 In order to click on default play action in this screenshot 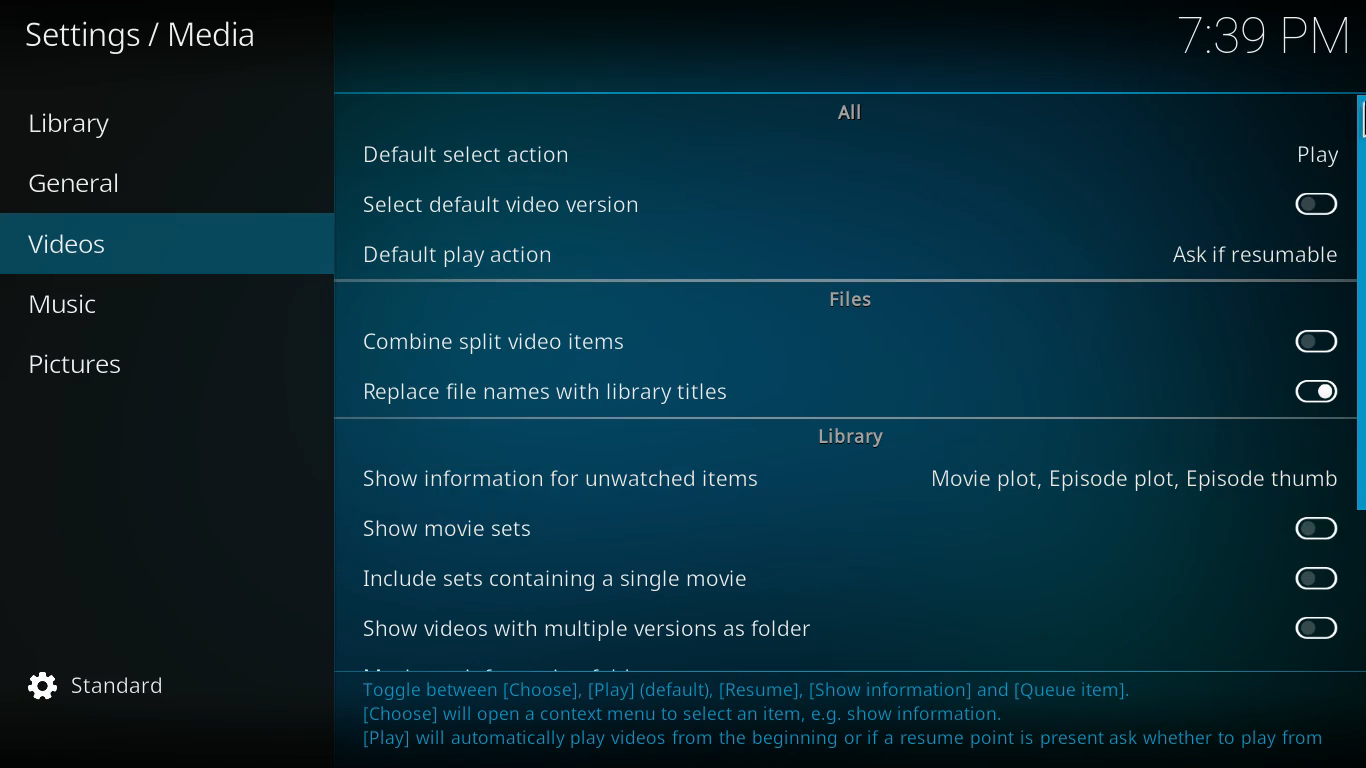, I will do `click(466, 253)`.